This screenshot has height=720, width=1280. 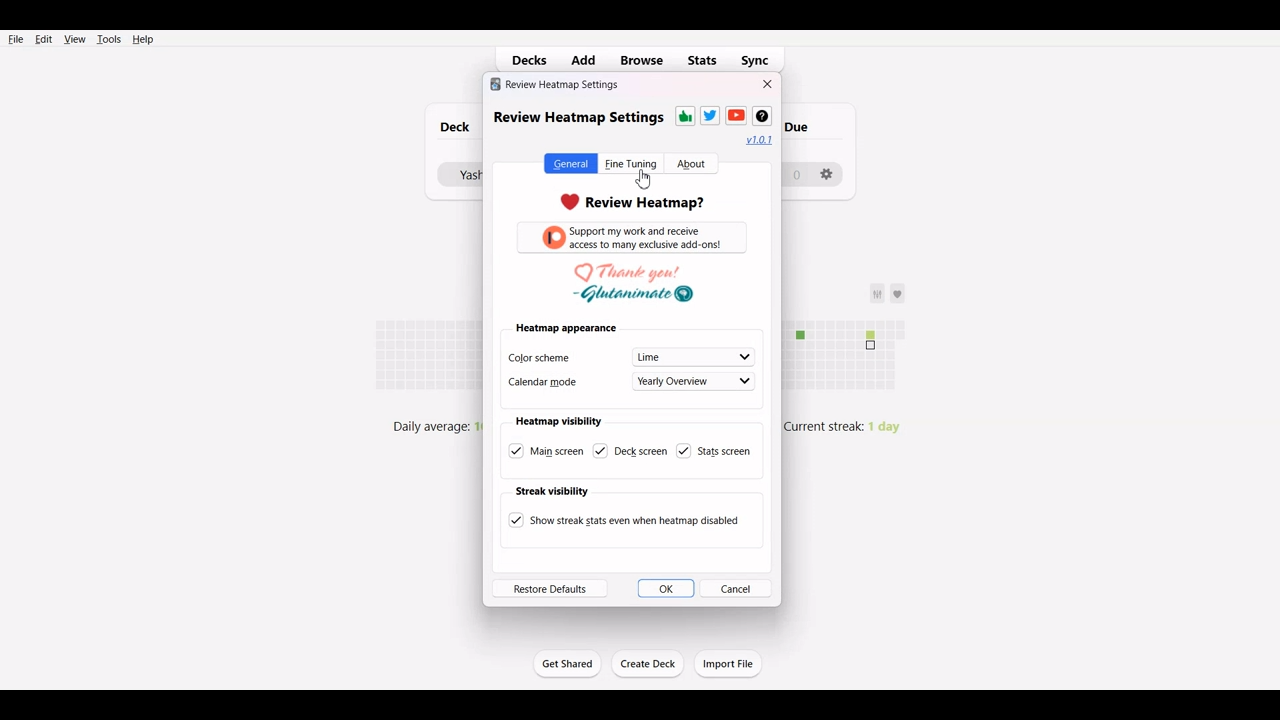 I want to click on Yearly Overview, so click(x=696, y=379).